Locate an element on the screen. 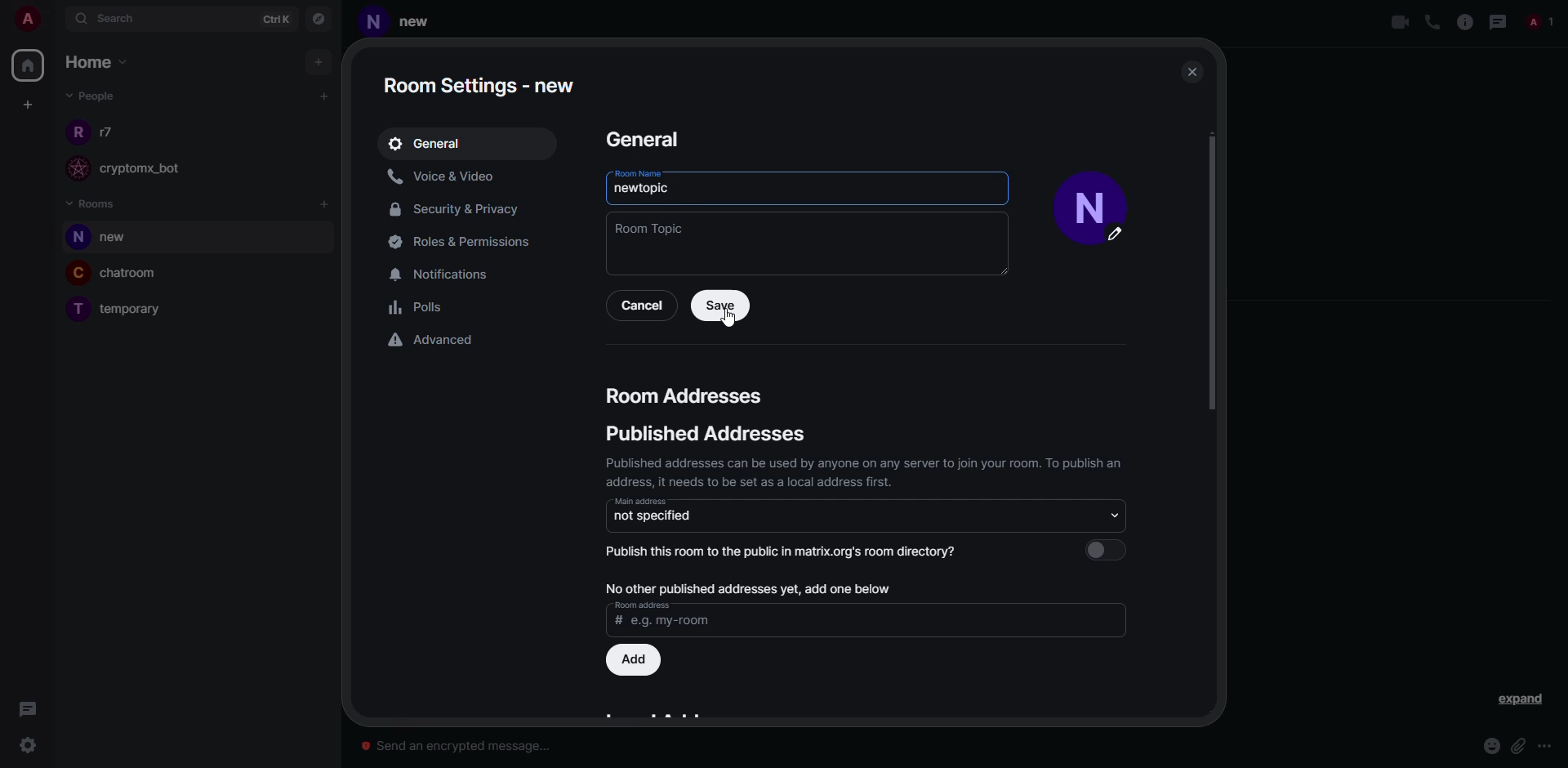 Image resolution: width=1568 pixels, height=768 pixels. notifications is located at coordinates (448, 273).